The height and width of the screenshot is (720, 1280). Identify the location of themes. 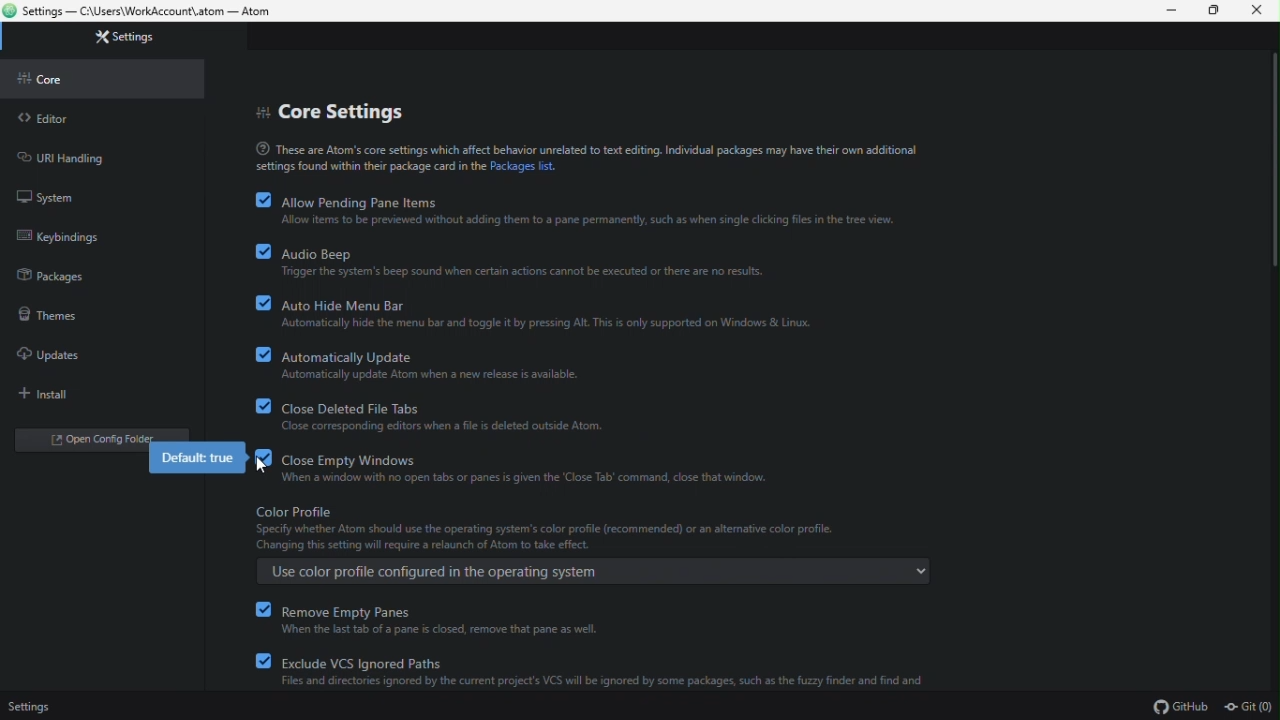
(54, 315).